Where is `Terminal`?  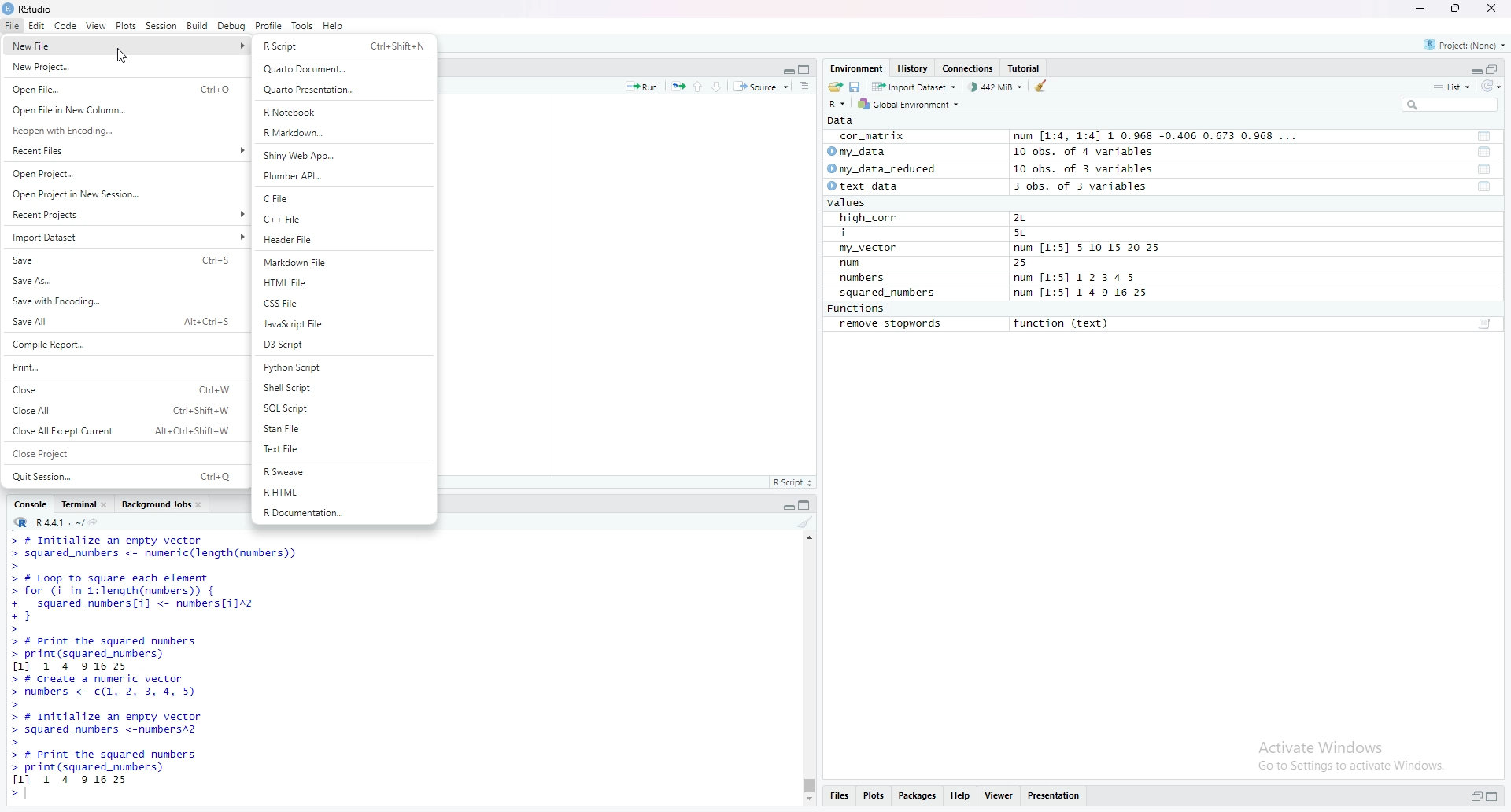 Terminal is located at coordinates (76, 507).